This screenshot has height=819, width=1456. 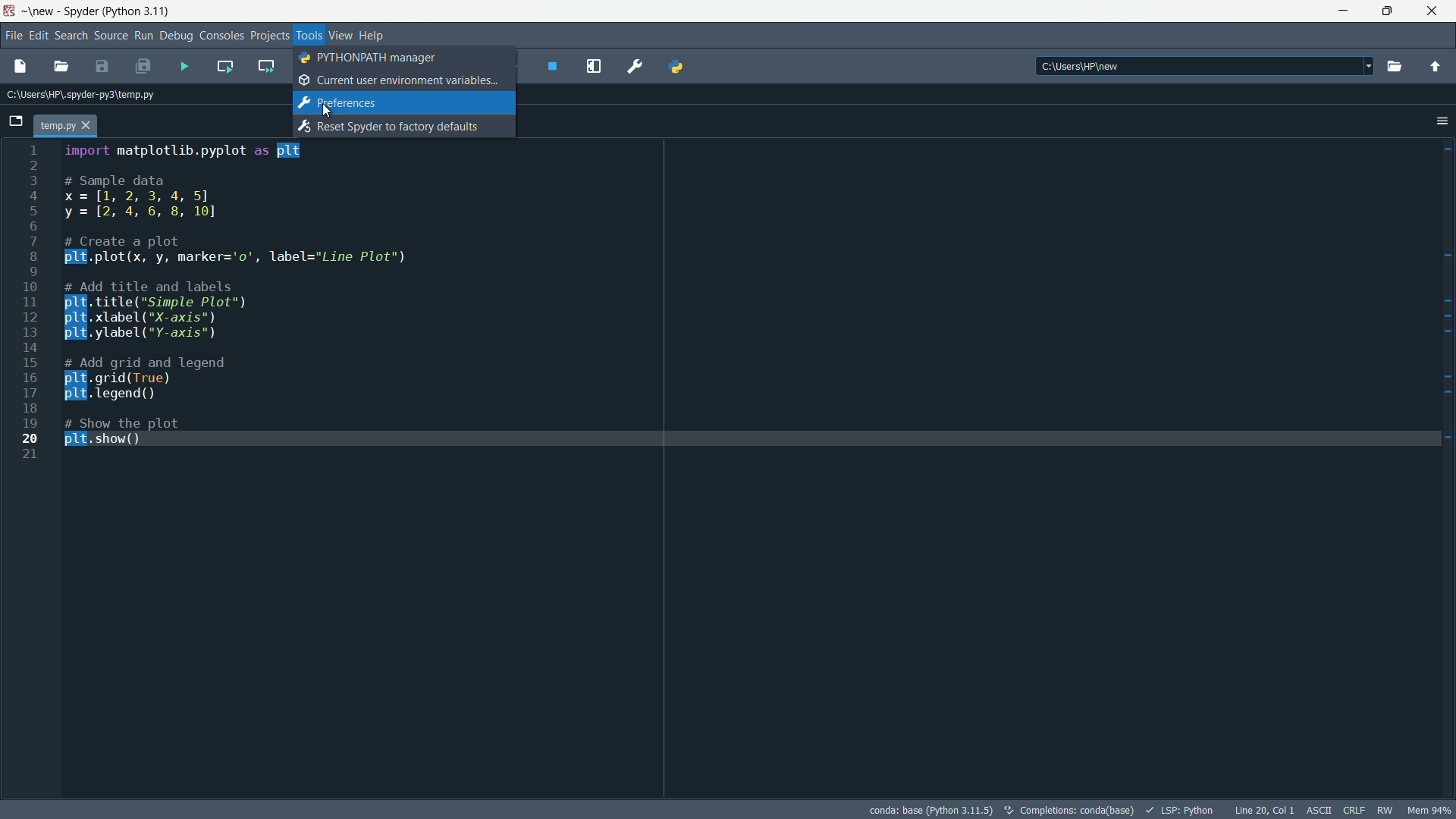 I want to click on preferences, so click(x=635, y=65).